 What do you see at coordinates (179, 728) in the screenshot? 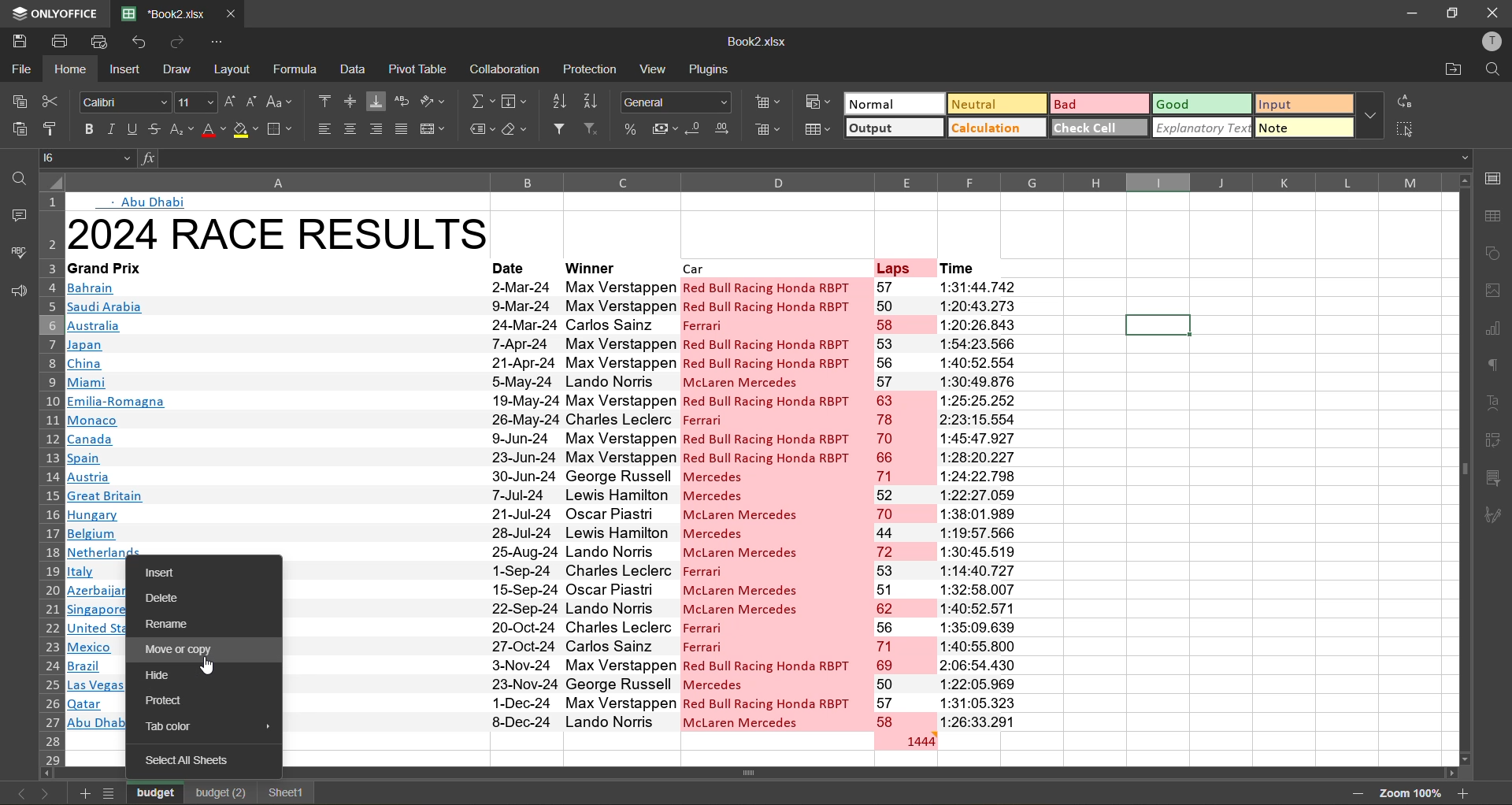
I see `tab color` at bounding box center [179, 728].